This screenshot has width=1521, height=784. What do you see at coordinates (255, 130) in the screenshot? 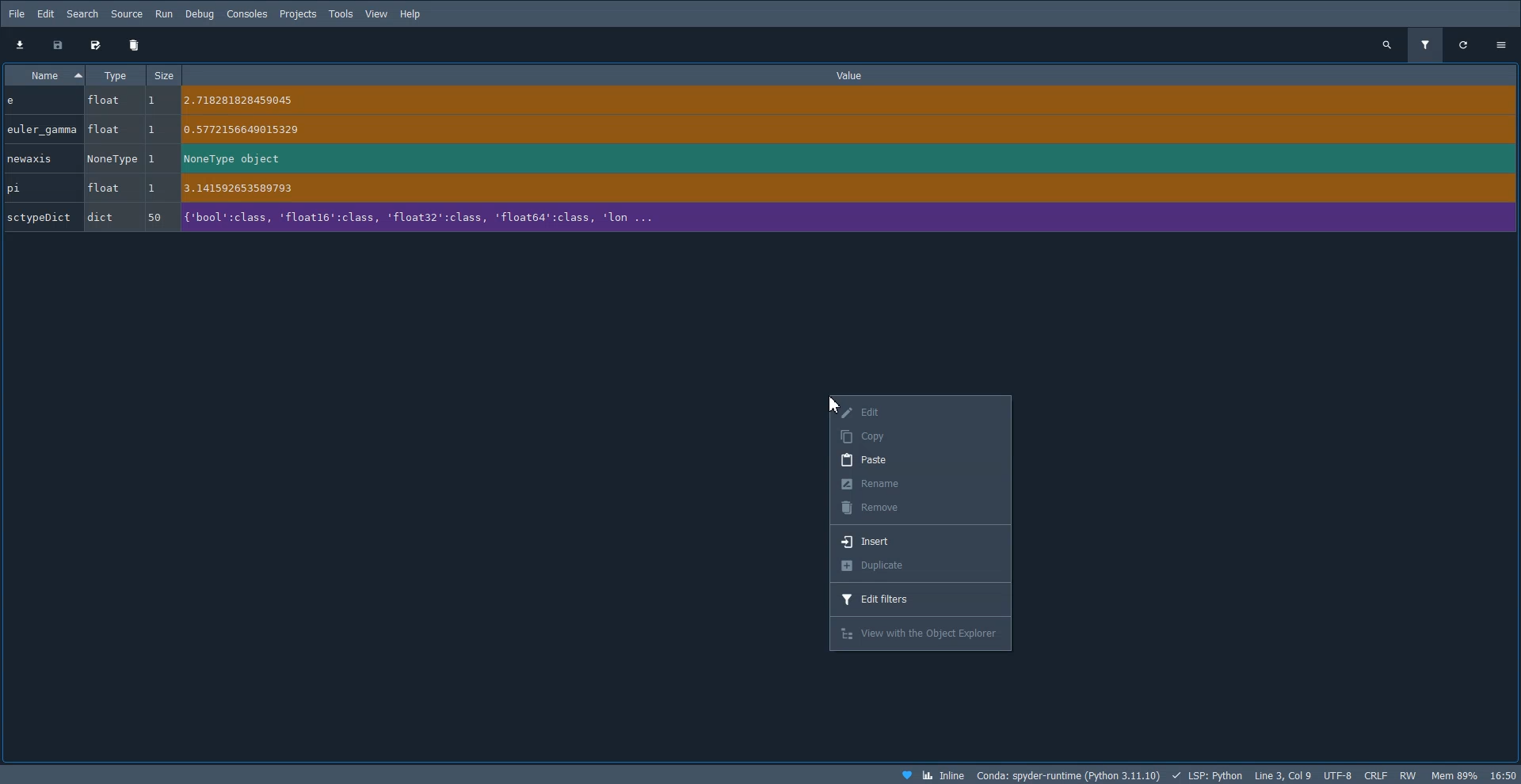
I see `To .5772156649015329` at bounding box center [255, 130].